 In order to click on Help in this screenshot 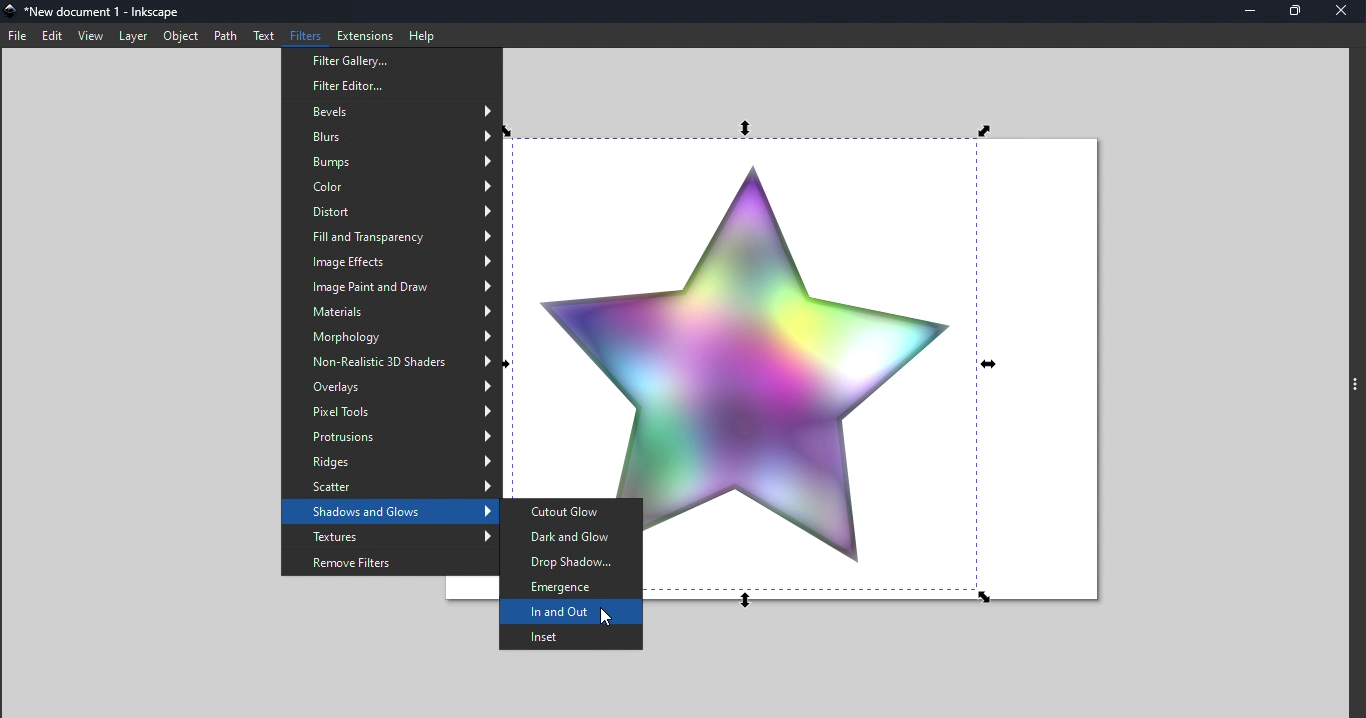, I will do `click(423, 34)`.